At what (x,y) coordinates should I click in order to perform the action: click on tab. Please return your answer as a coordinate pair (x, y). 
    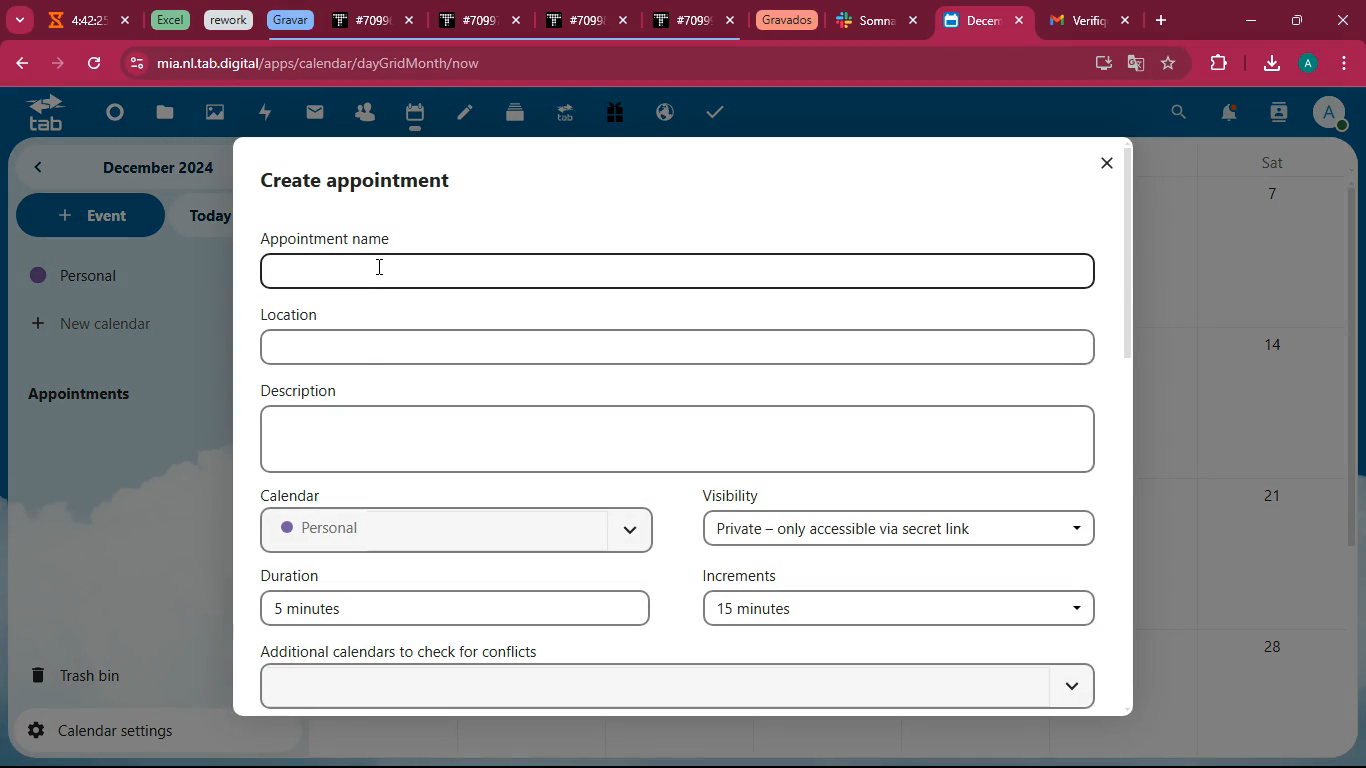
    Looking at the image, I should click on (167, 20).